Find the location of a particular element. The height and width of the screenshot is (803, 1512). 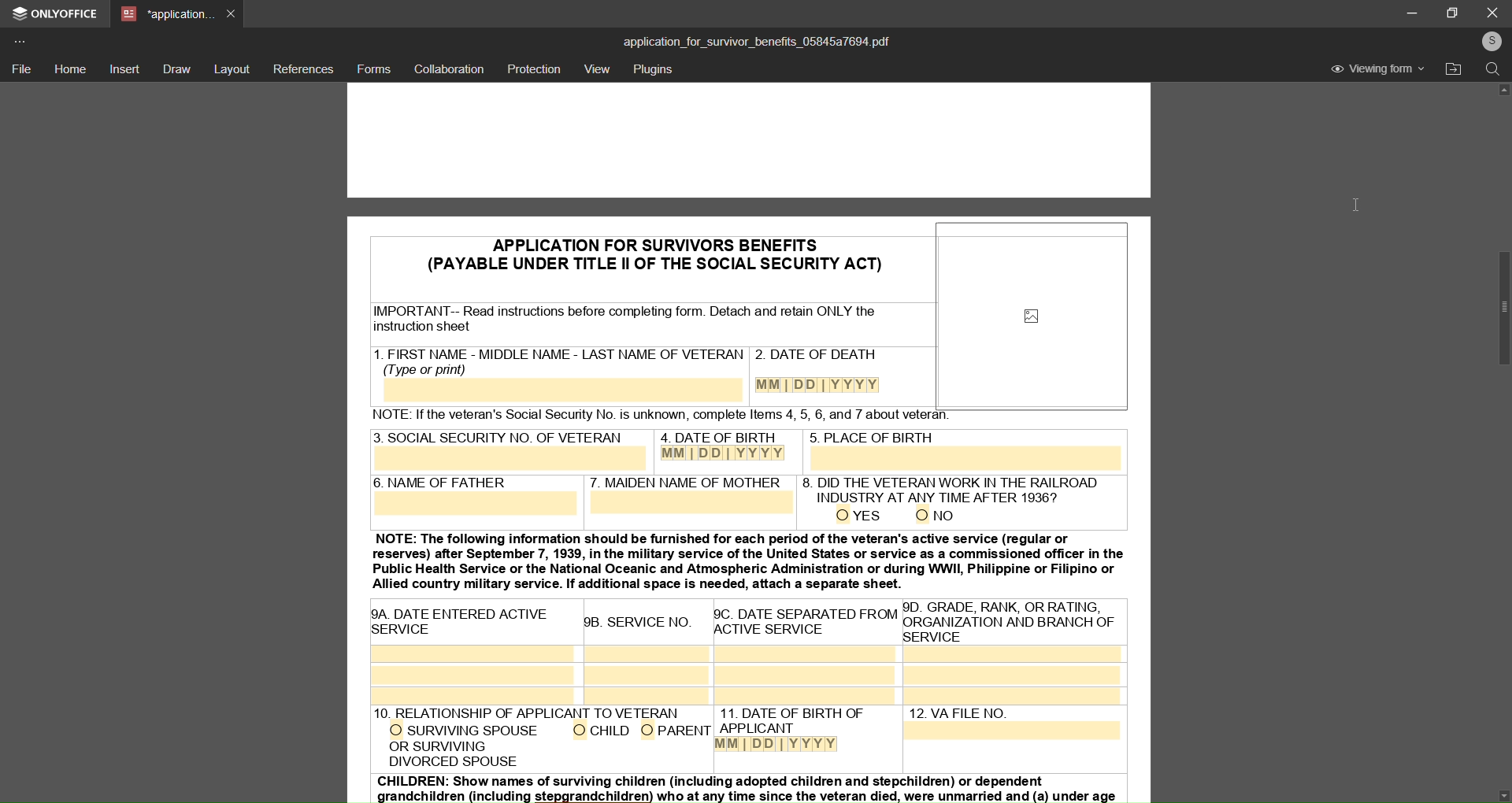

tab name is located at coordinates (166, 15).